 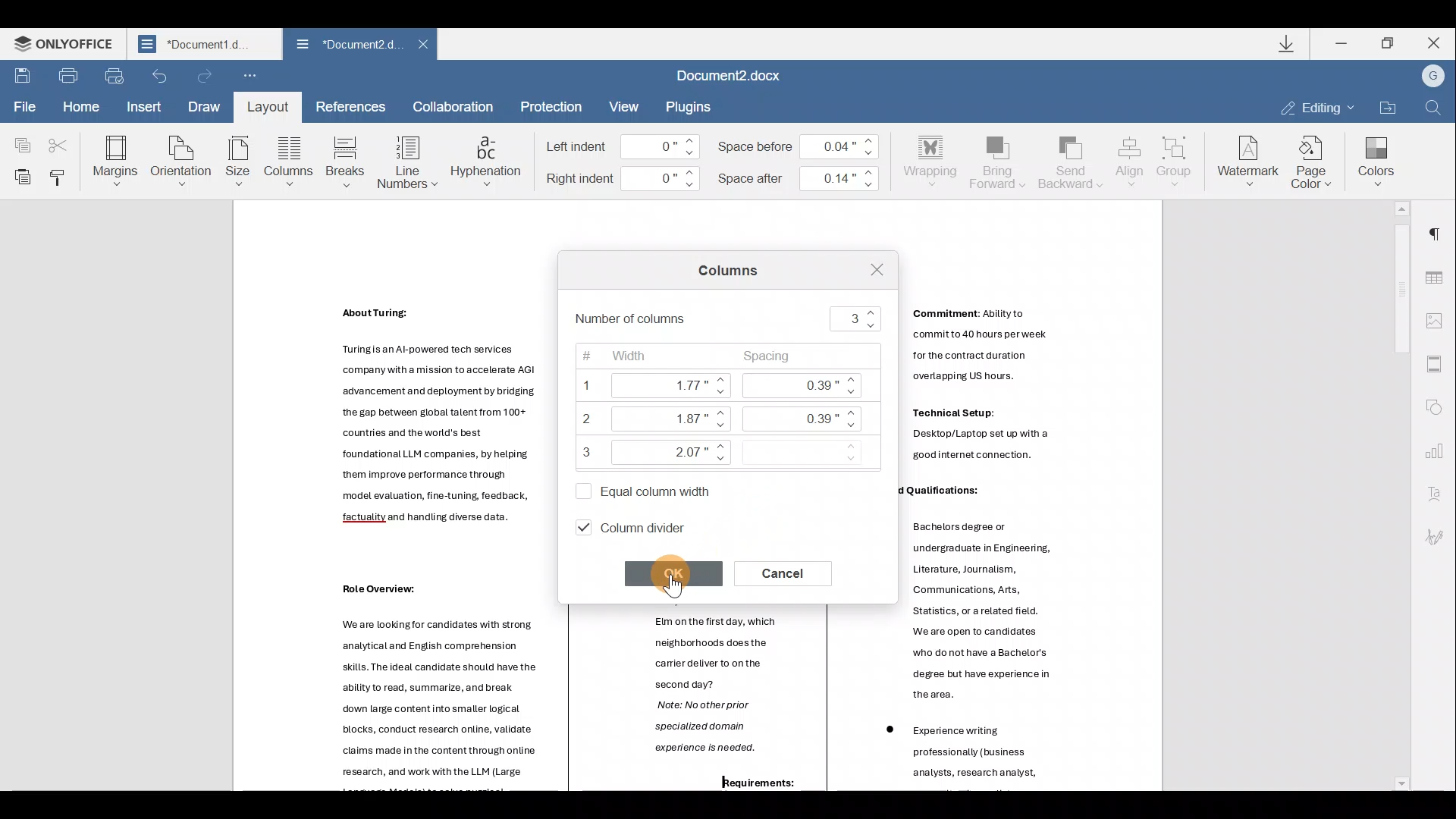 I want to click on Close, so click(x=1434, y=42).